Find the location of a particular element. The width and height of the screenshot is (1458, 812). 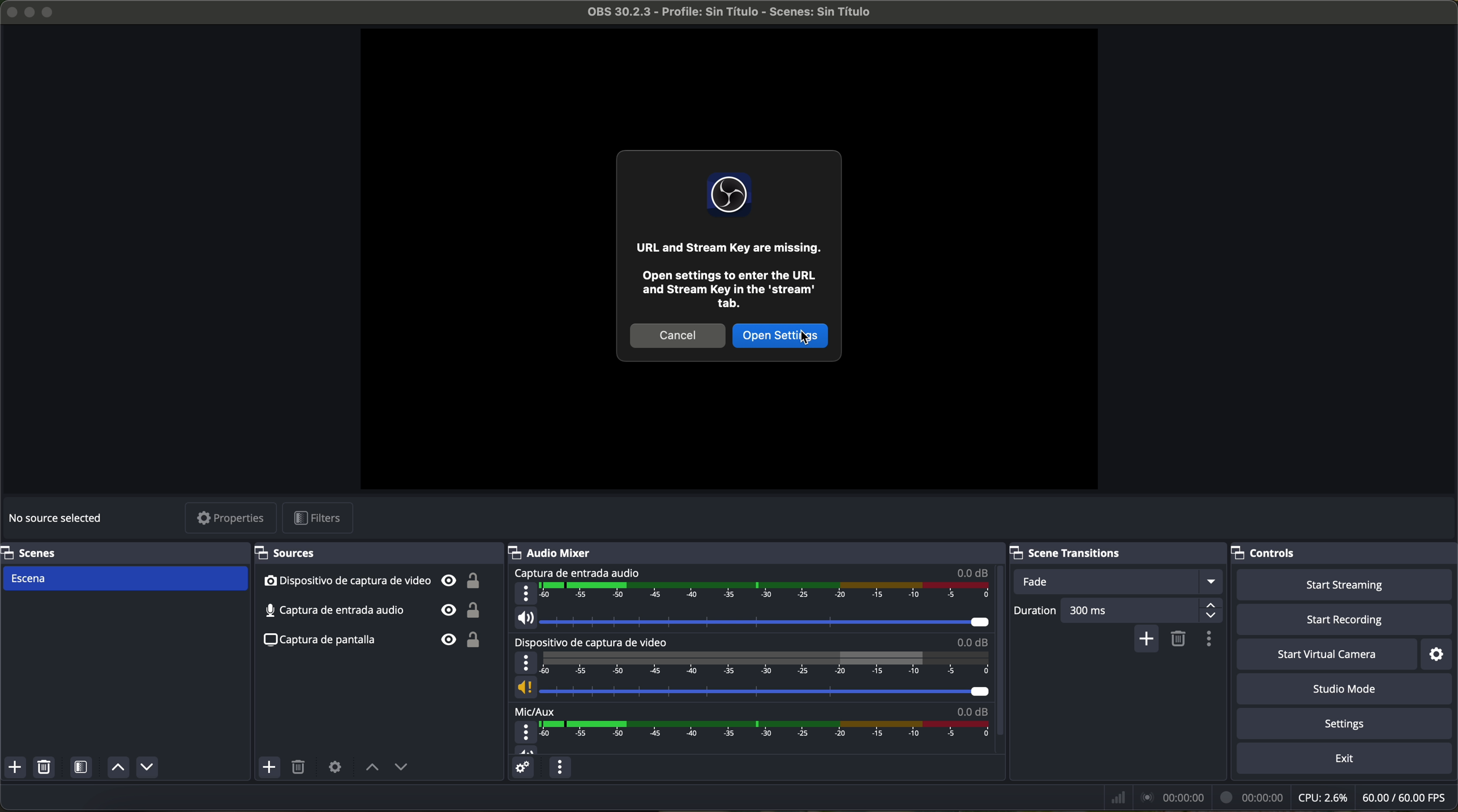

start virtual camera is located at coordinates (1327, 655).